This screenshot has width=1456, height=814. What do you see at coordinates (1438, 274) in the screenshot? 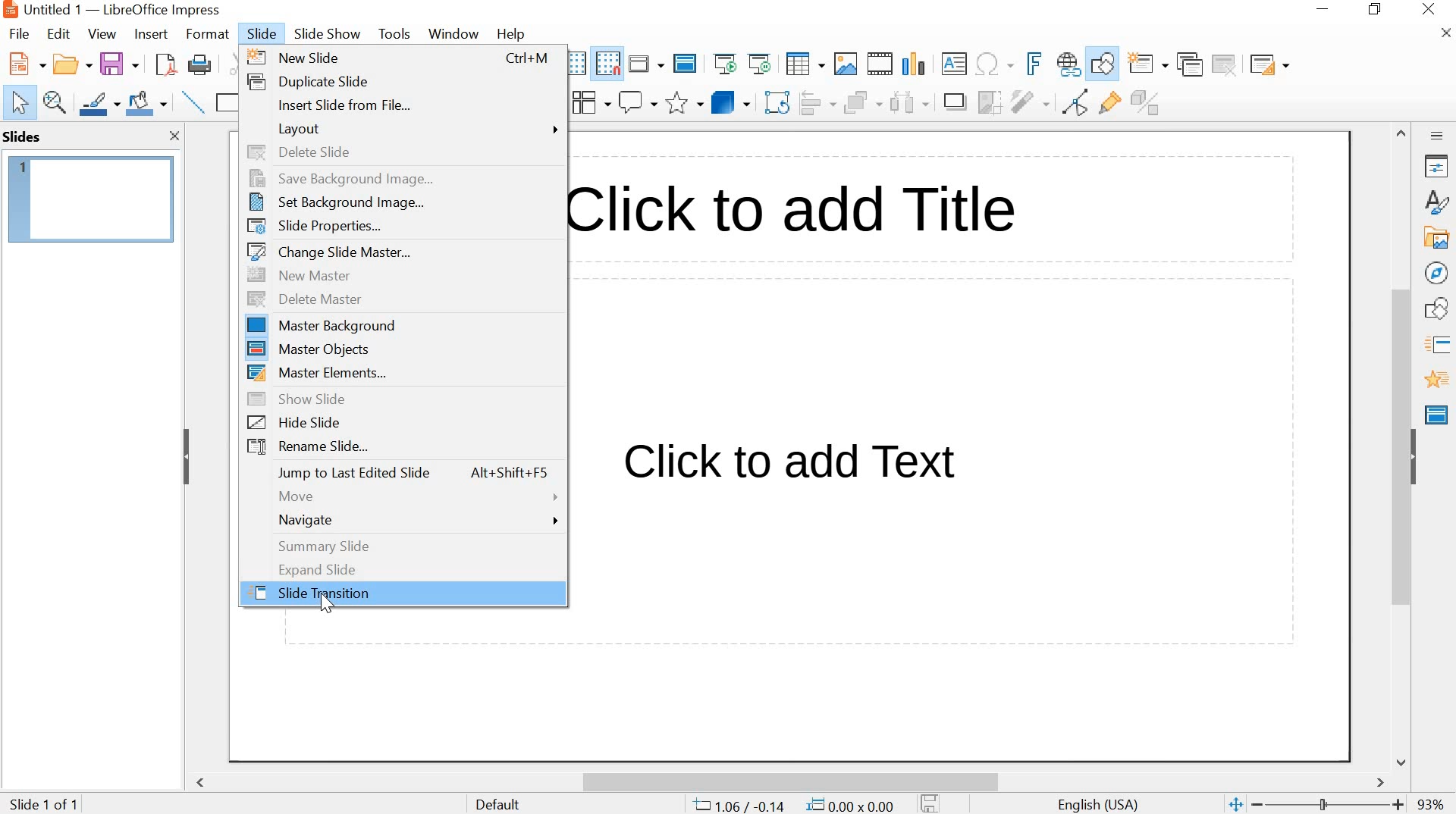
I see `NAVIGATOR` at bounding box center [1438, 274].